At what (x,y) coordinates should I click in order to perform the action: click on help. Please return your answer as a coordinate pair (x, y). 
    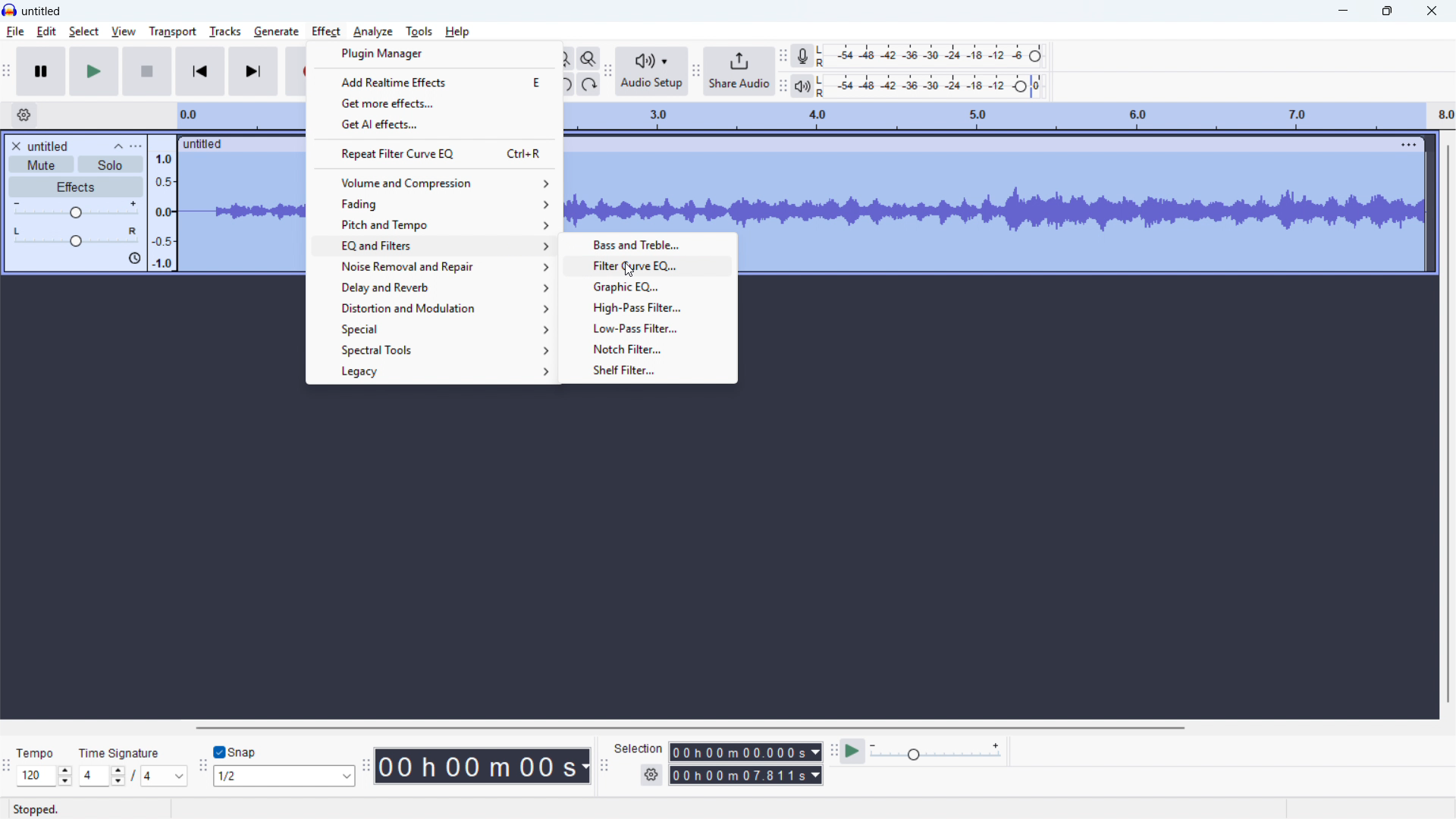
    Looking at the image, I should click on (458, 31).